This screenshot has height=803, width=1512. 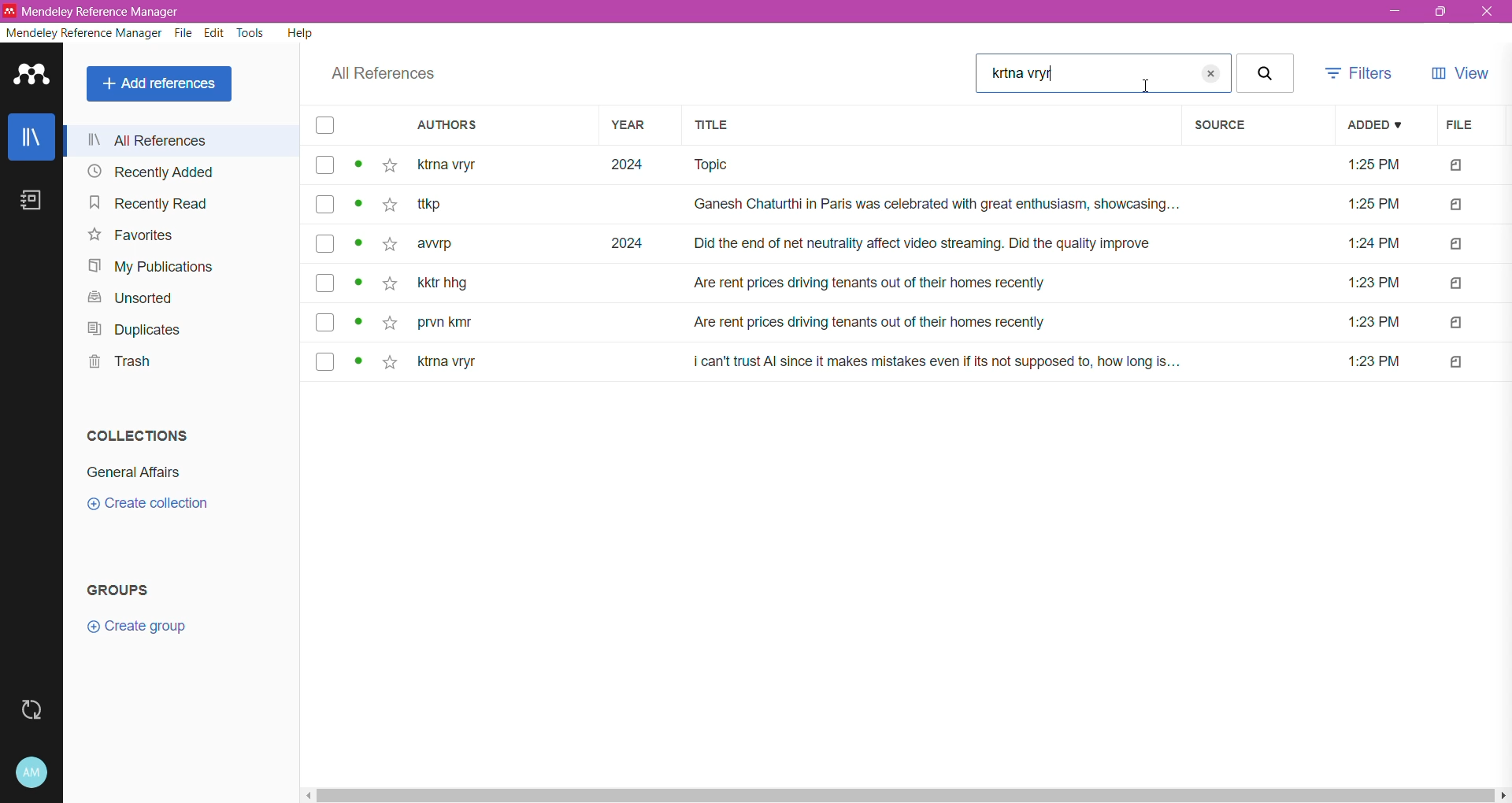 I want to click on Title, so click(x=930, y=127).